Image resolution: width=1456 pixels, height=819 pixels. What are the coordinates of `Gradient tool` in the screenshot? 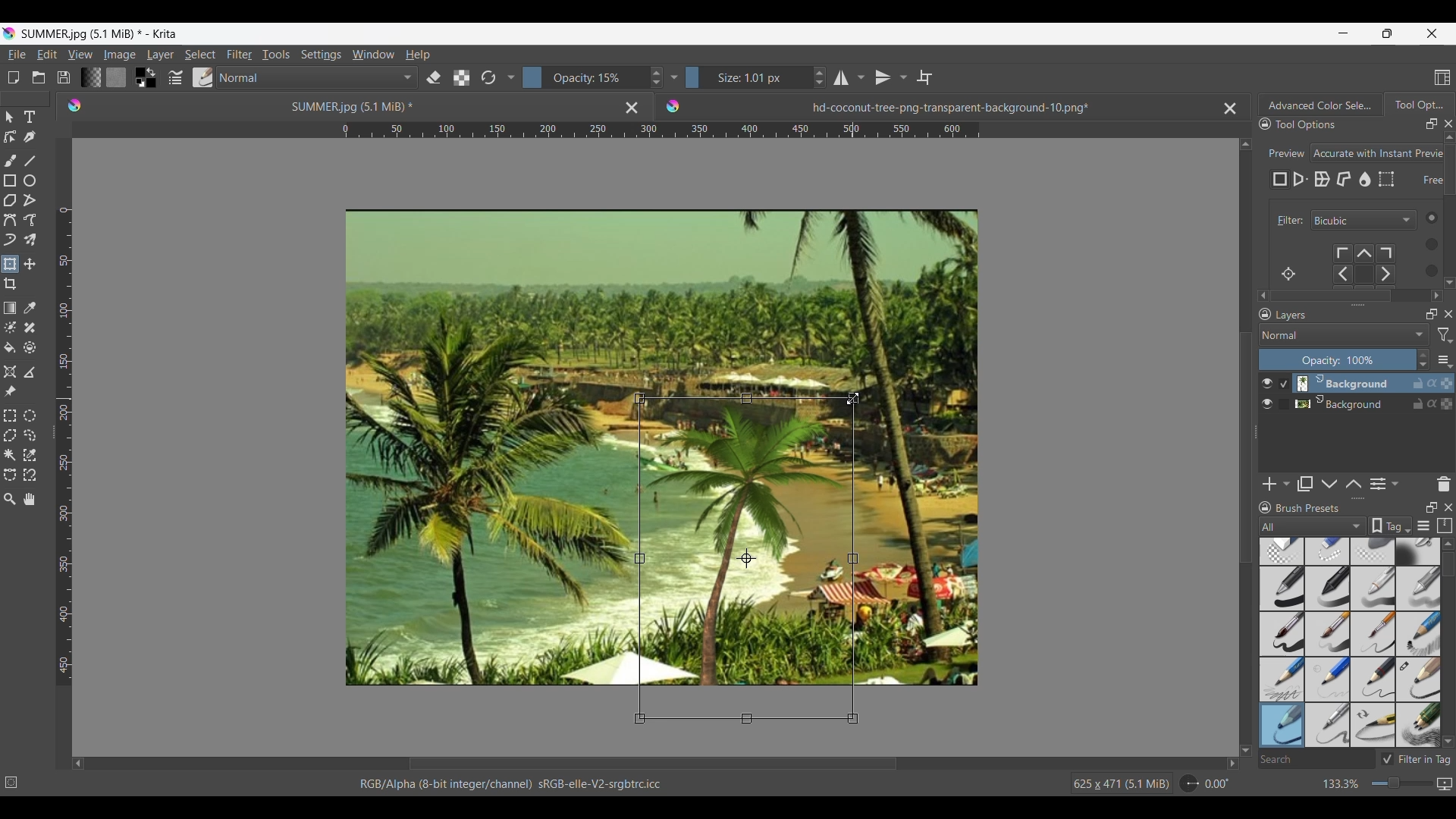 It's located at (10, 308).